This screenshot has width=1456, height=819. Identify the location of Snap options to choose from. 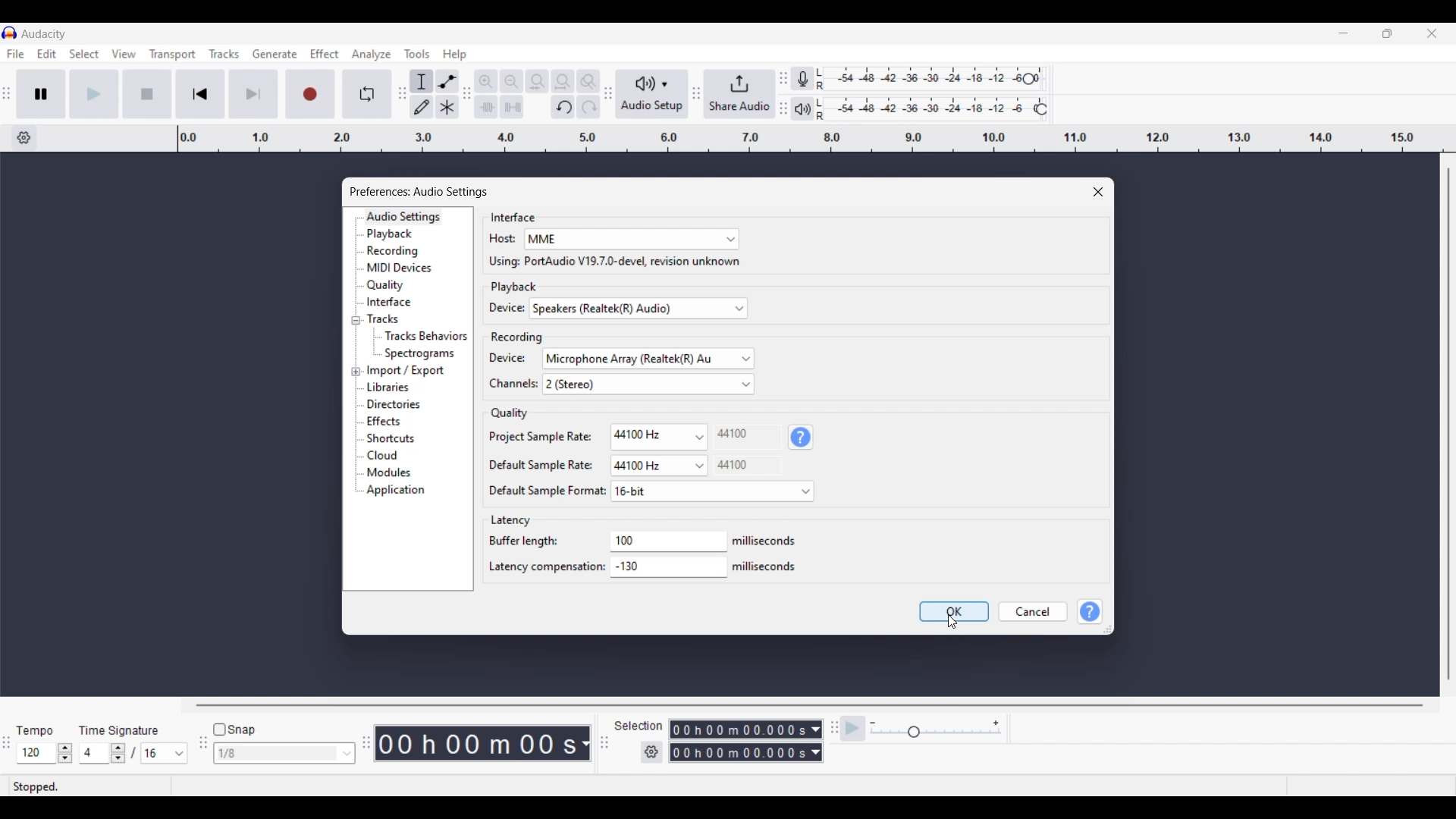
(348, 754).